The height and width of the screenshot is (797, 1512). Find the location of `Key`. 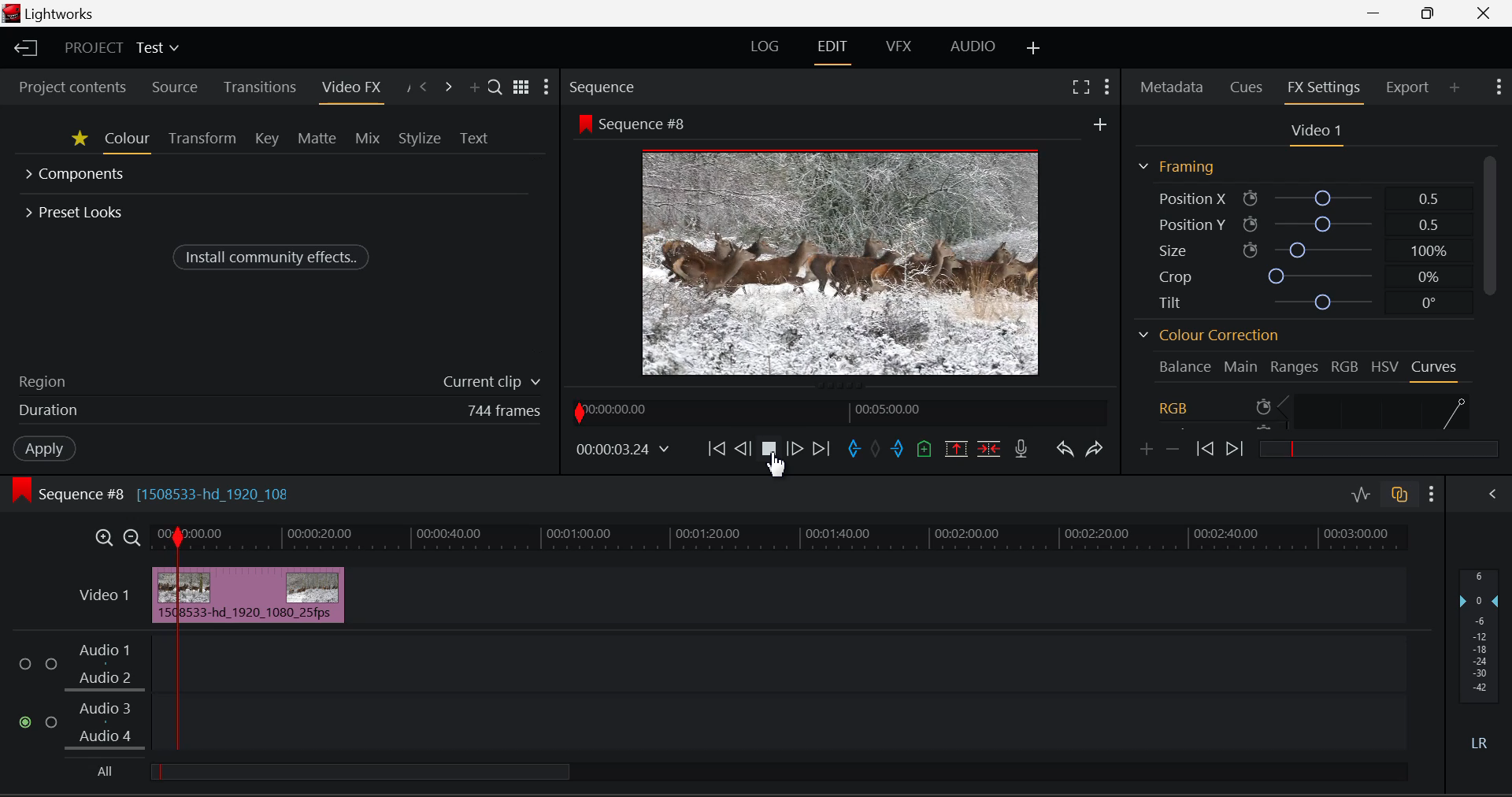

Key is located at coordinates (265, 140).